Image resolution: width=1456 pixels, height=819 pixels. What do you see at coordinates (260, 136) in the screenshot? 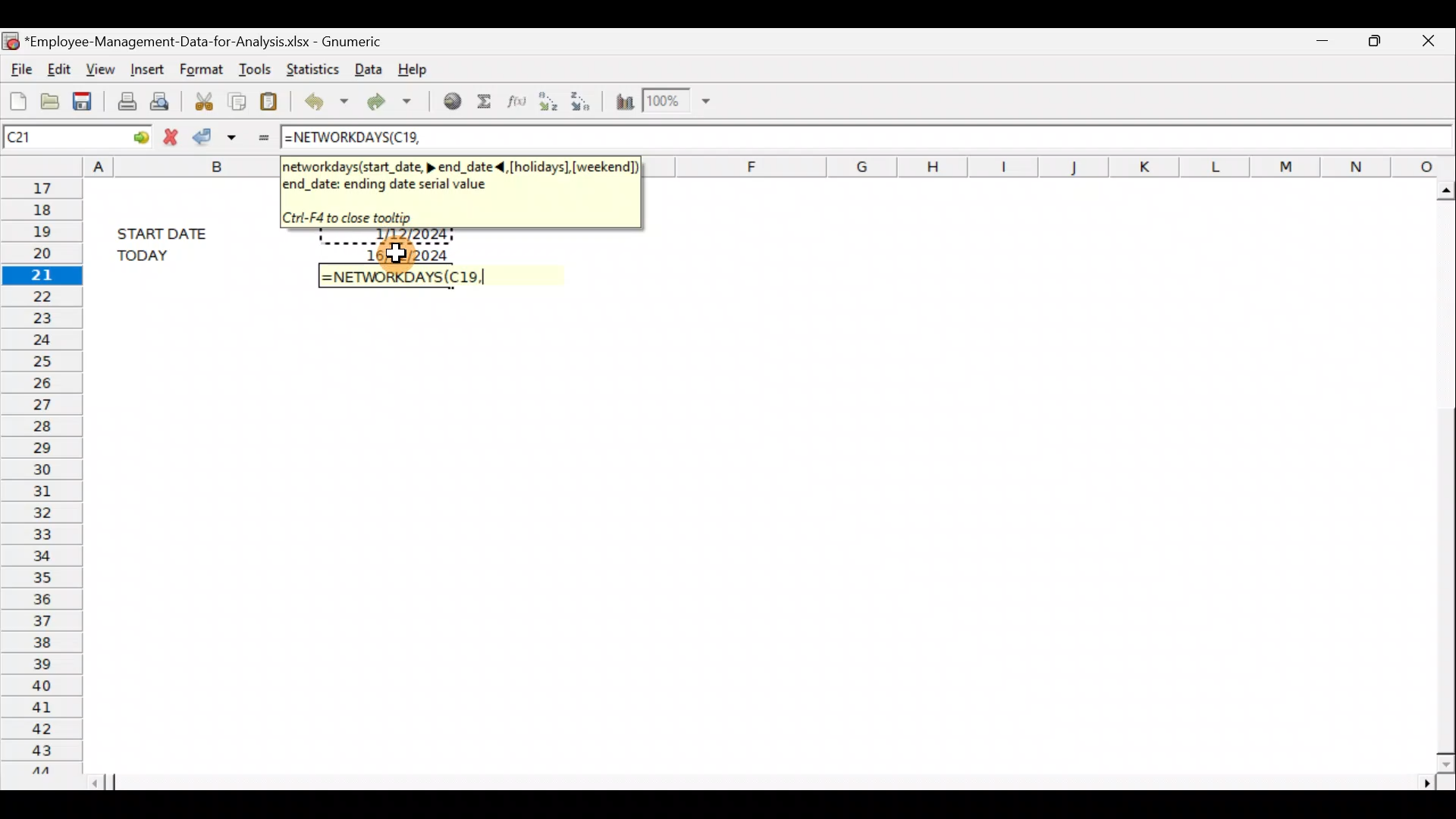
I see `Enter formula` at bounding box center [260, 136].